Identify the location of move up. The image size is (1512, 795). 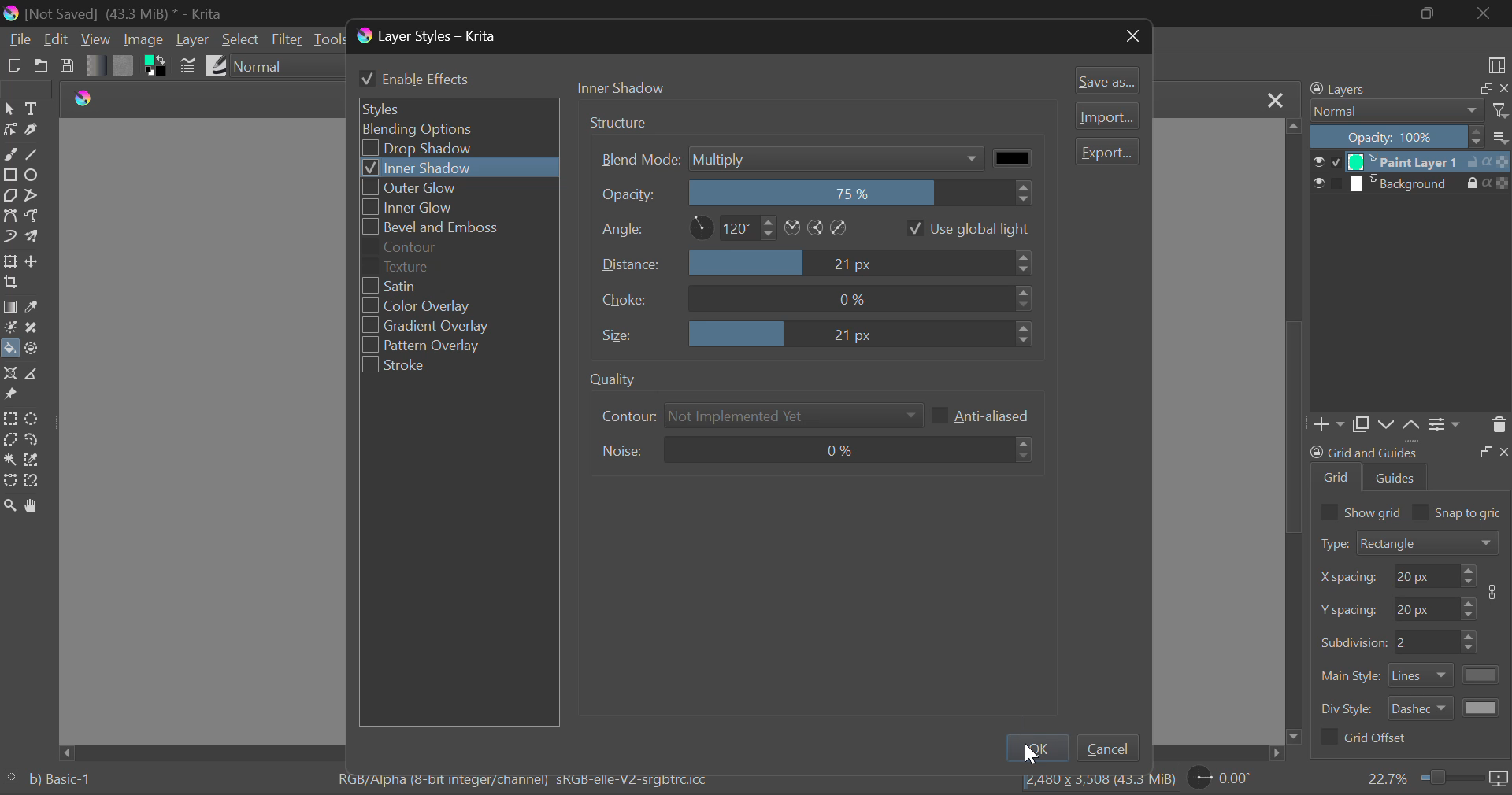
(1291, 129).